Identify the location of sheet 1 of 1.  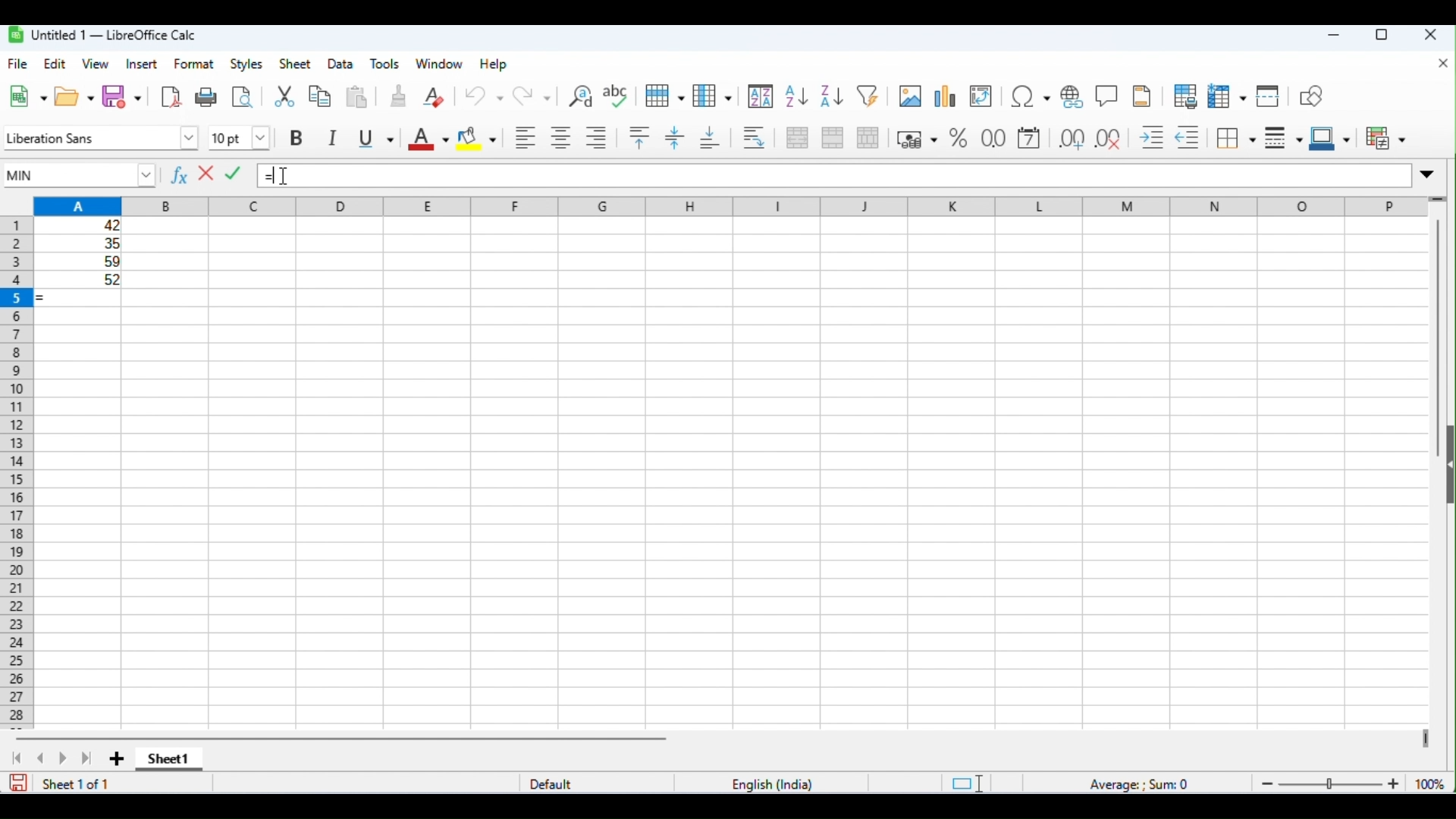
(79, 783).